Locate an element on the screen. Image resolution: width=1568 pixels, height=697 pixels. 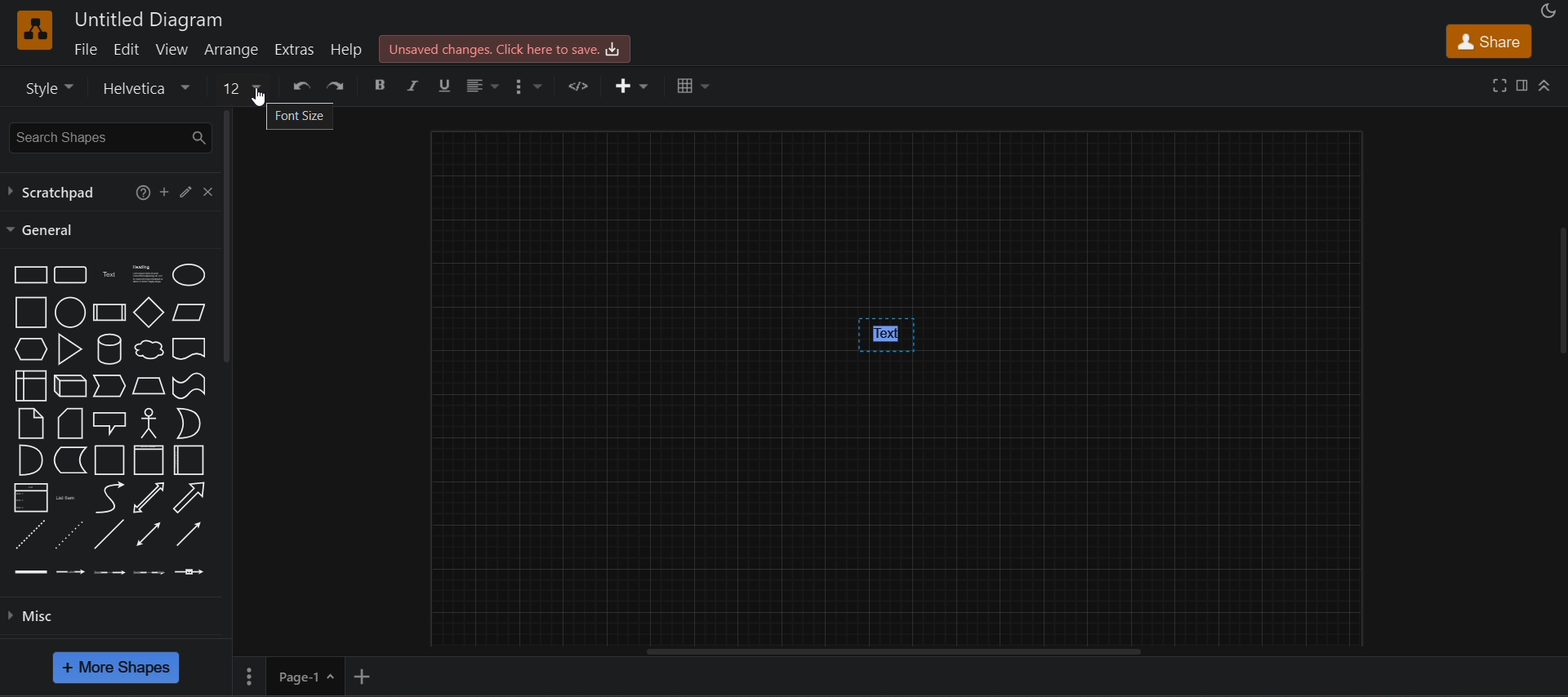
Or is located at coordinates (189, 424).